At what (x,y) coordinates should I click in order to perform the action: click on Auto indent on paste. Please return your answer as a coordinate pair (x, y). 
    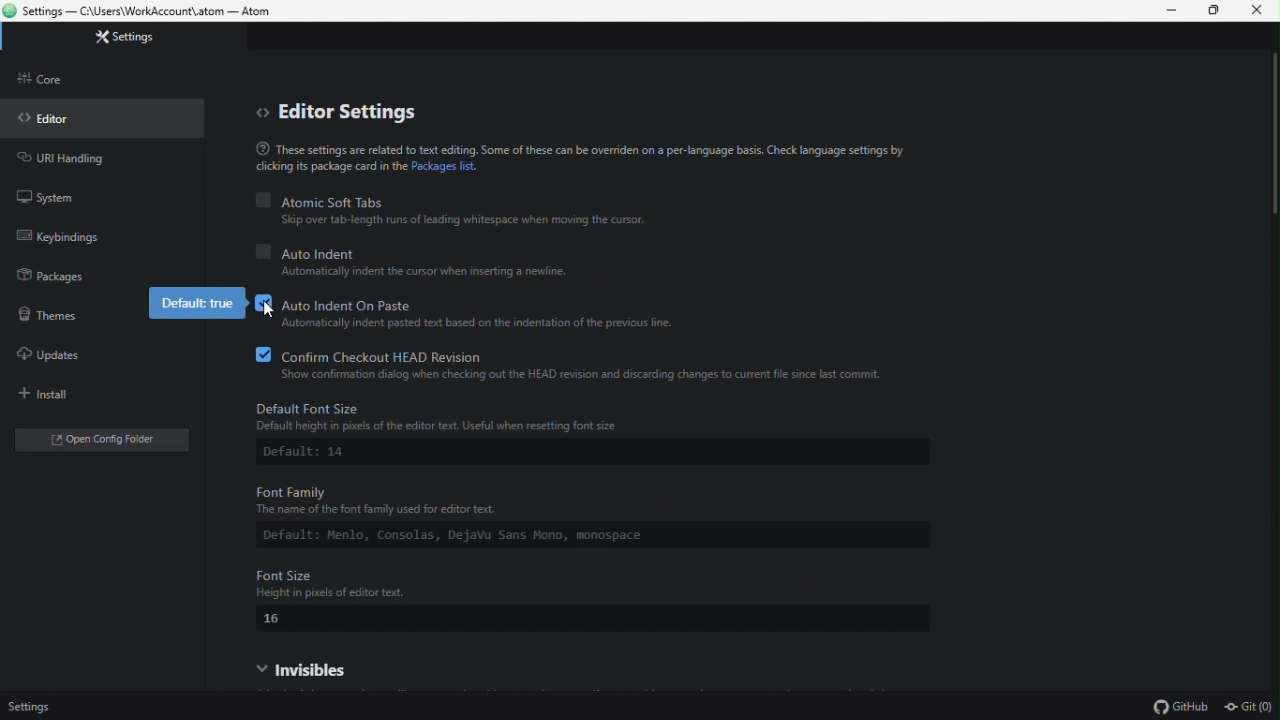
    Looking at the image, I should click on (486, 301).